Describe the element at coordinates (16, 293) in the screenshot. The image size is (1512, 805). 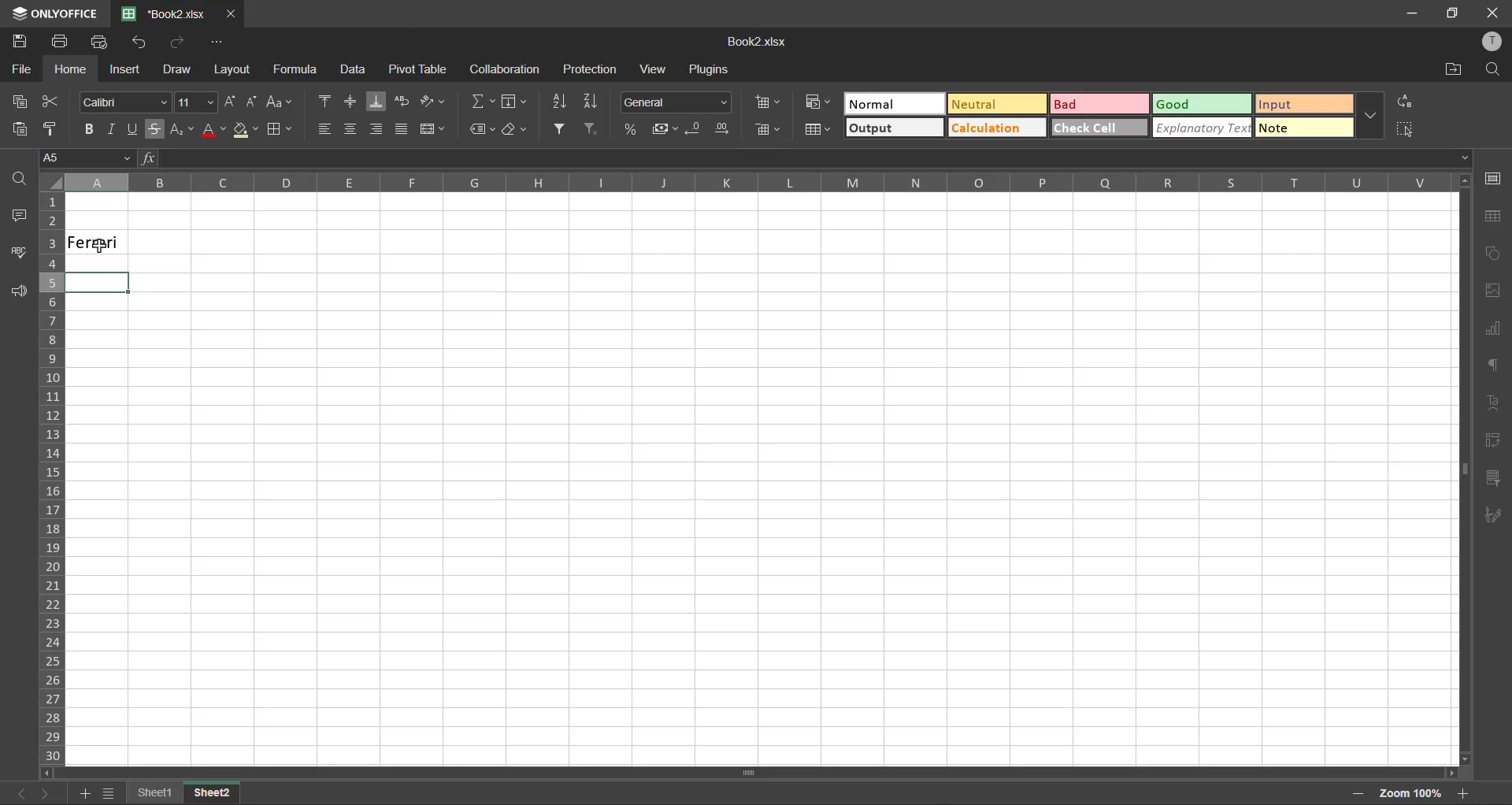
I see `feedback` at that location.